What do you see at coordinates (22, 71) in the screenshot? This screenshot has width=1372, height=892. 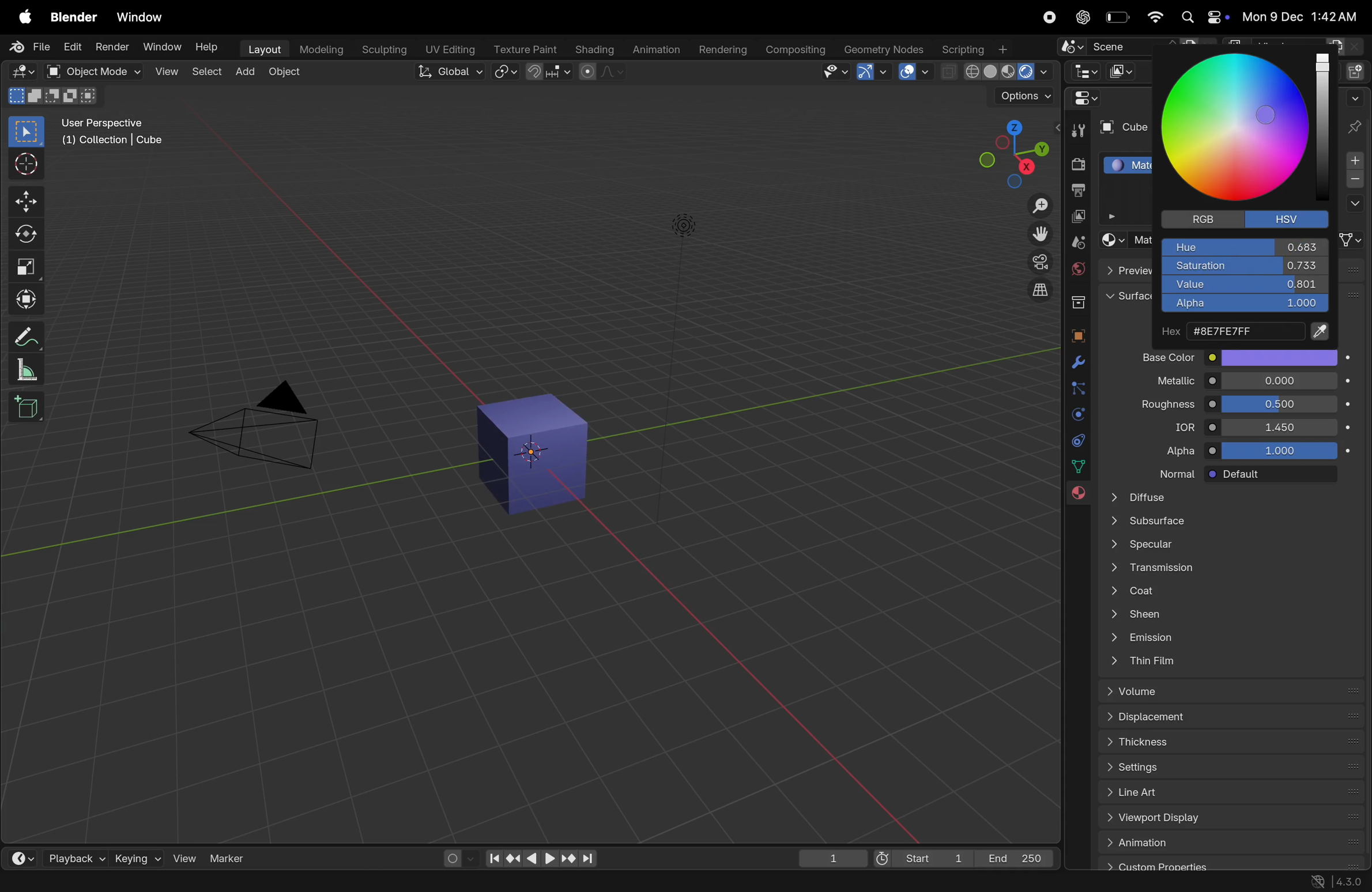 I see `editor type` at bounding box center [22, 71].